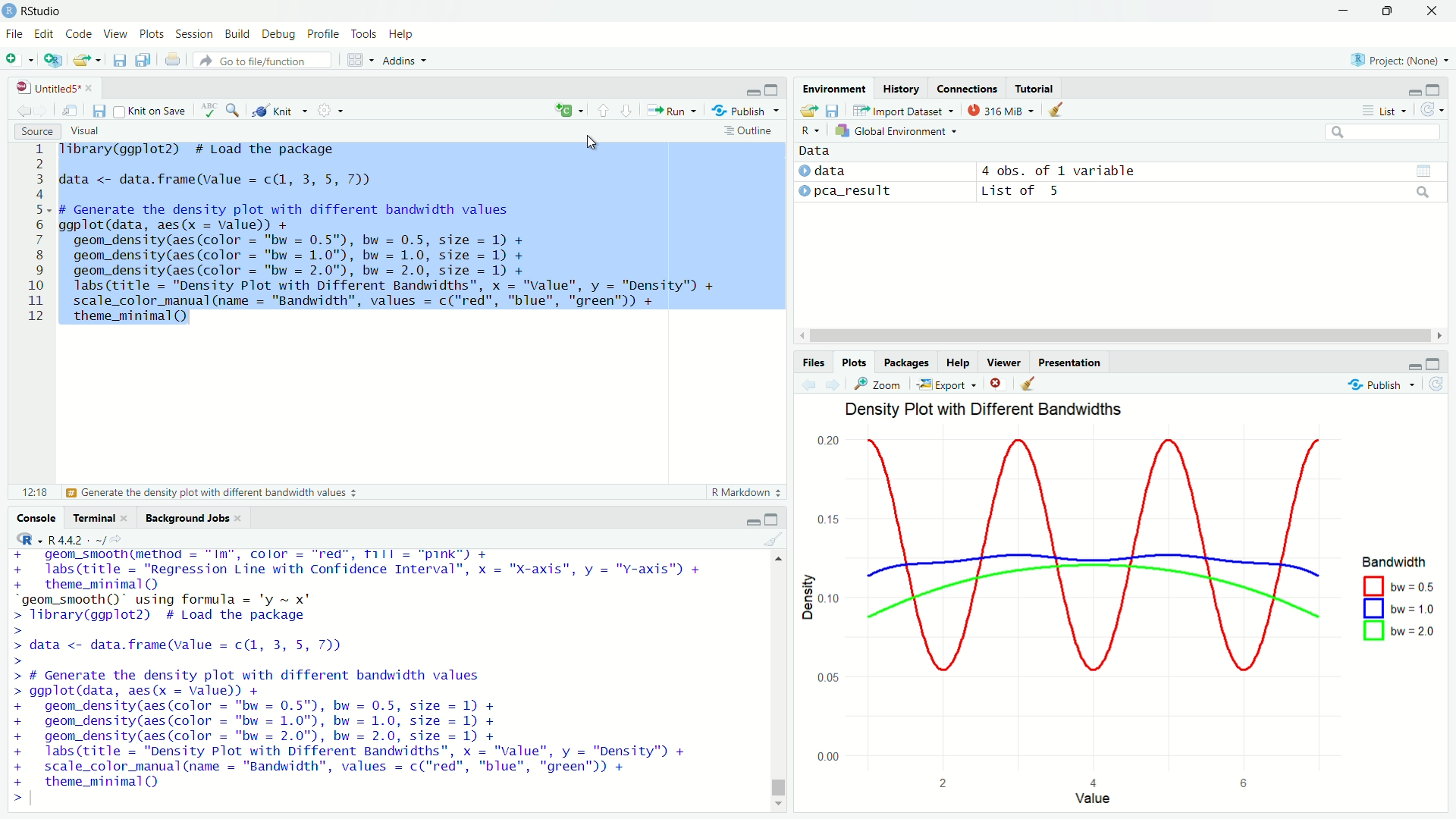 The width and height of the screenshot is (1456, 819). I want to click on Density, so click(806, 598).